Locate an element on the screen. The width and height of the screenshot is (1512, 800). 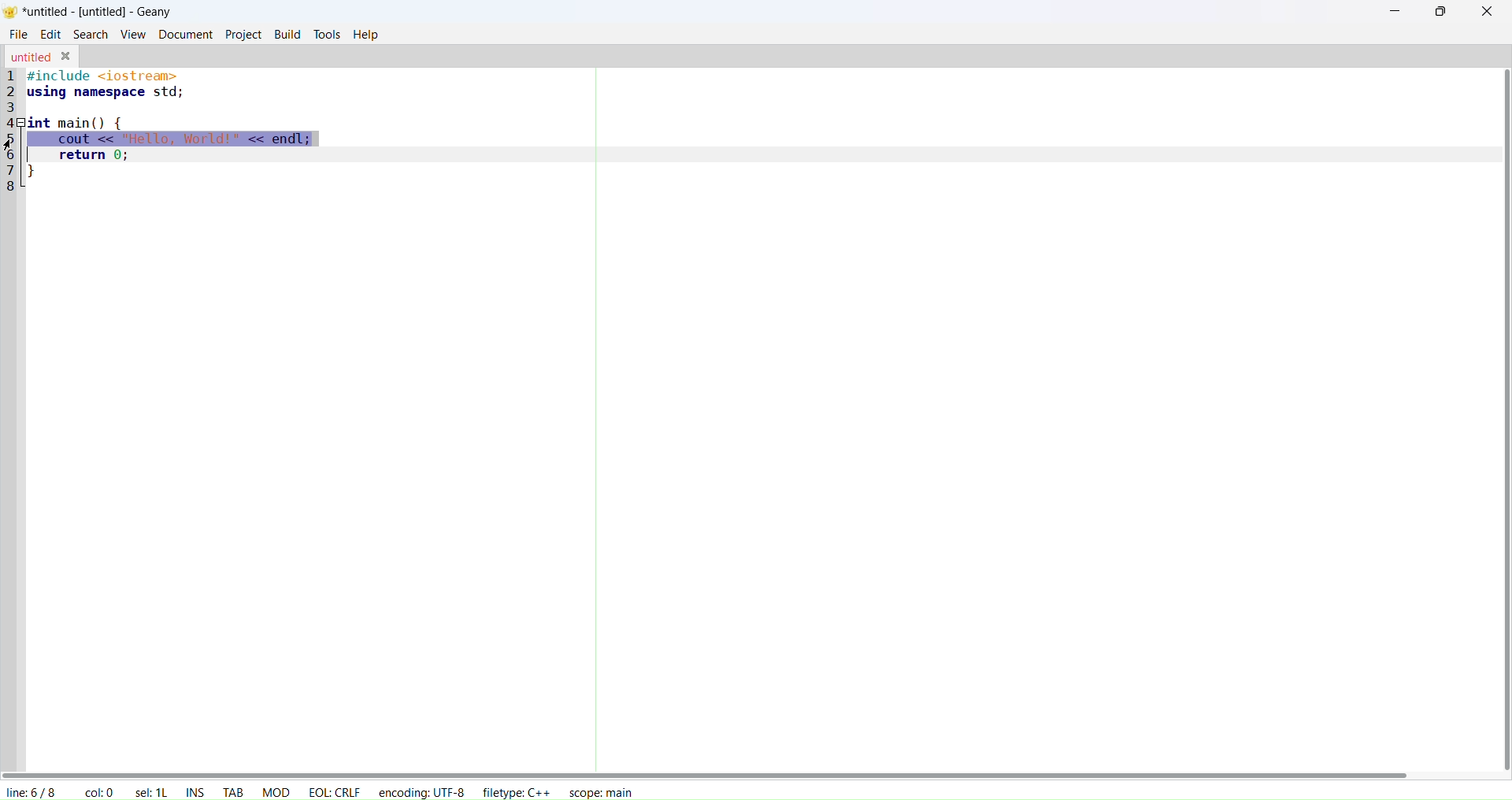
project is located at coordinates (242, 34).